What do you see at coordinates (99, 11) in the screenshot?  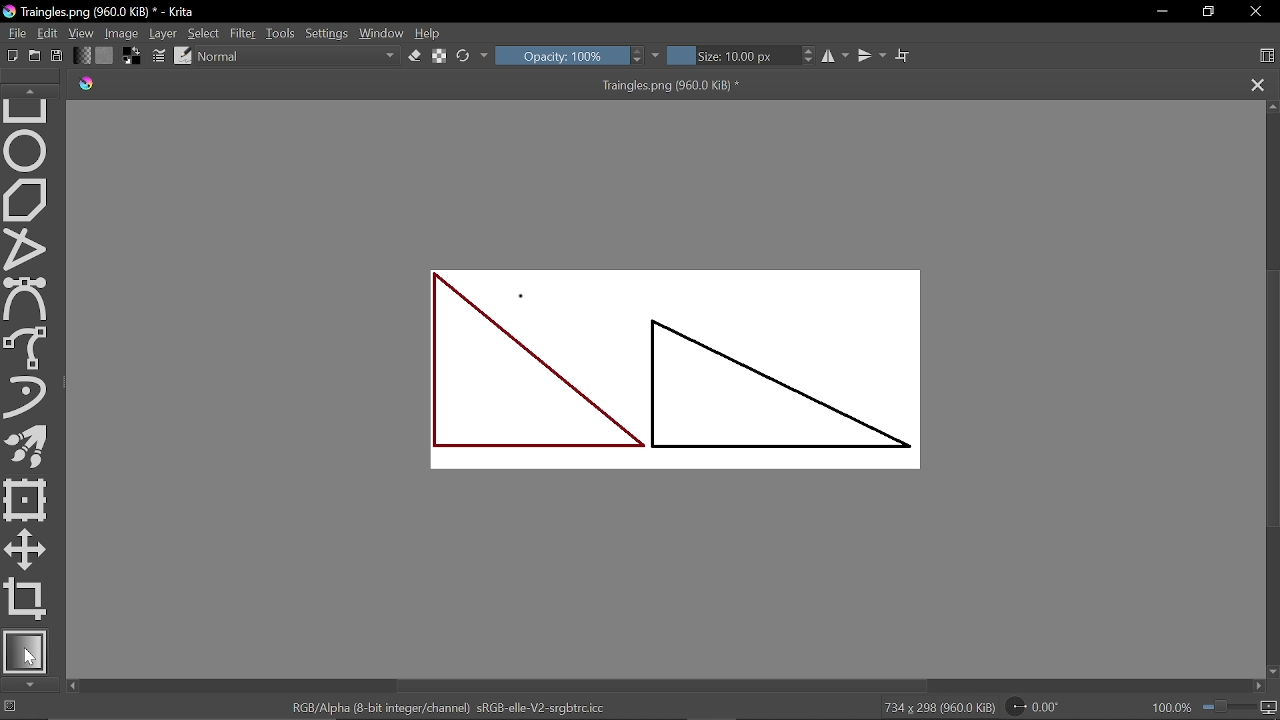 I see `Traingles.png (960.0 KiB) * - Krita` at bounding box center [99, 11].